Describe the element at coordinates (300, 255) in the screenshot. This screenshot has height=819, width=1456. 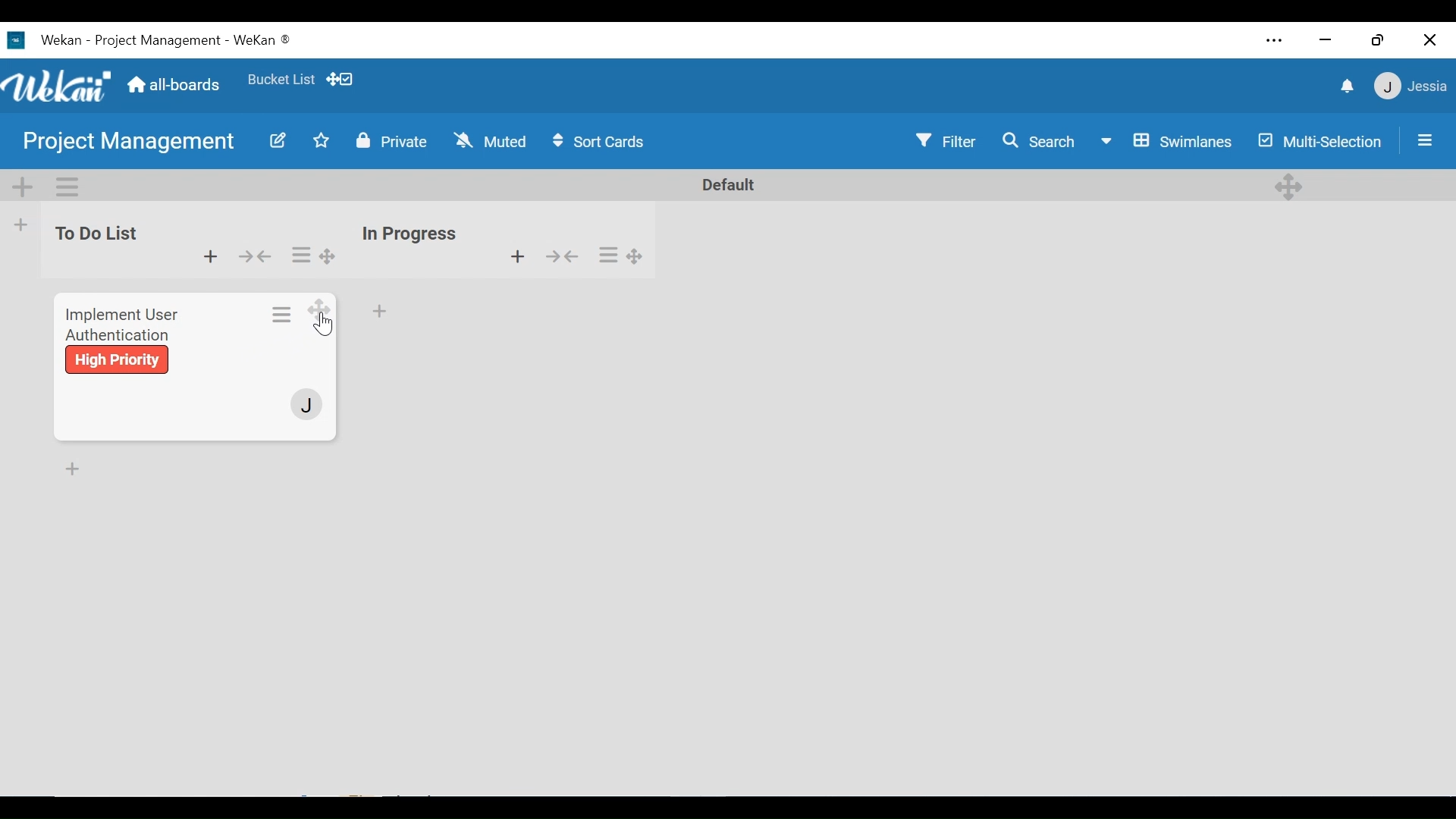
I see `list actions` at that location.